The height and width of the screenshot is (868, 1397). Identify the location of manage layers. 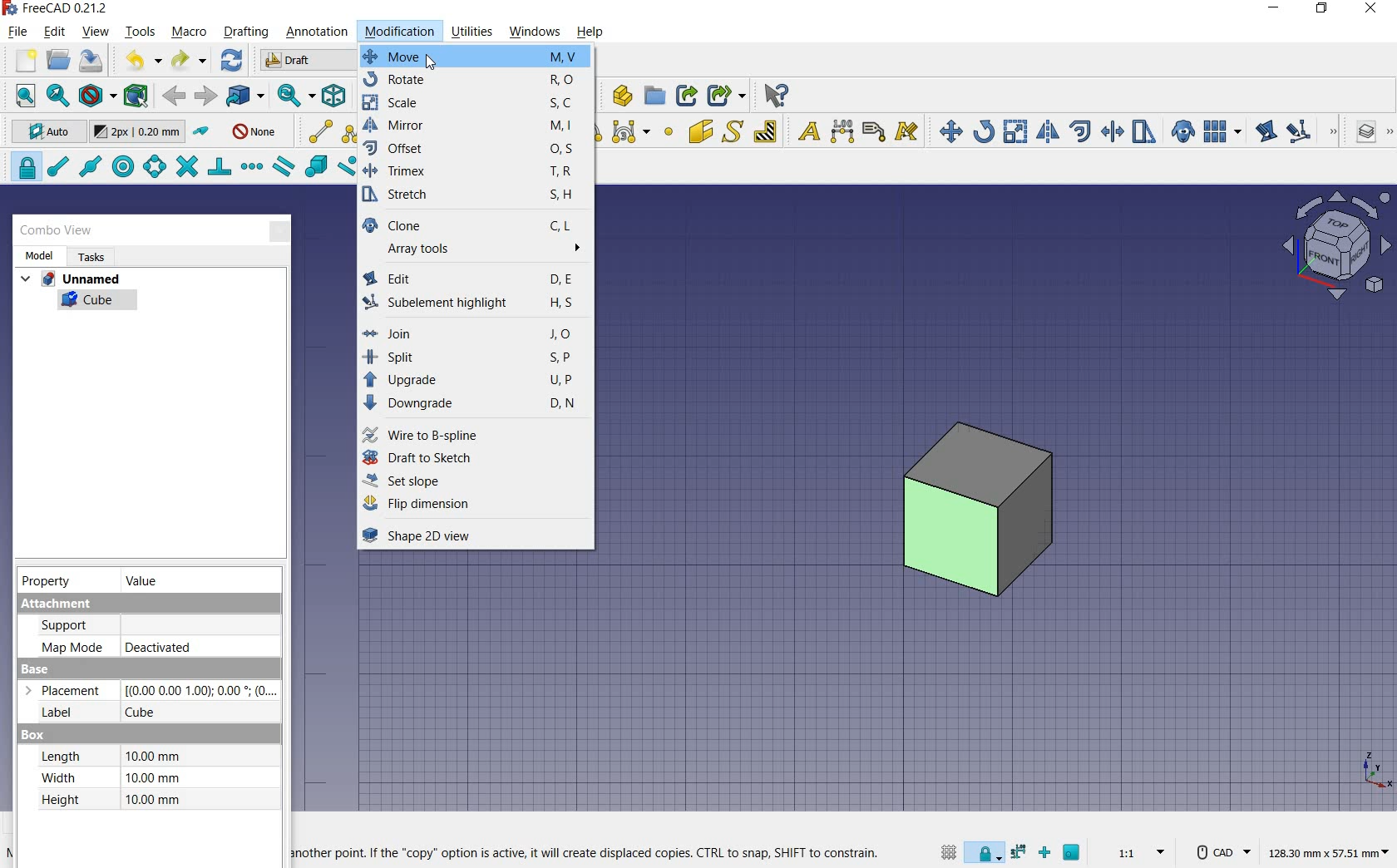
(1367, 133).